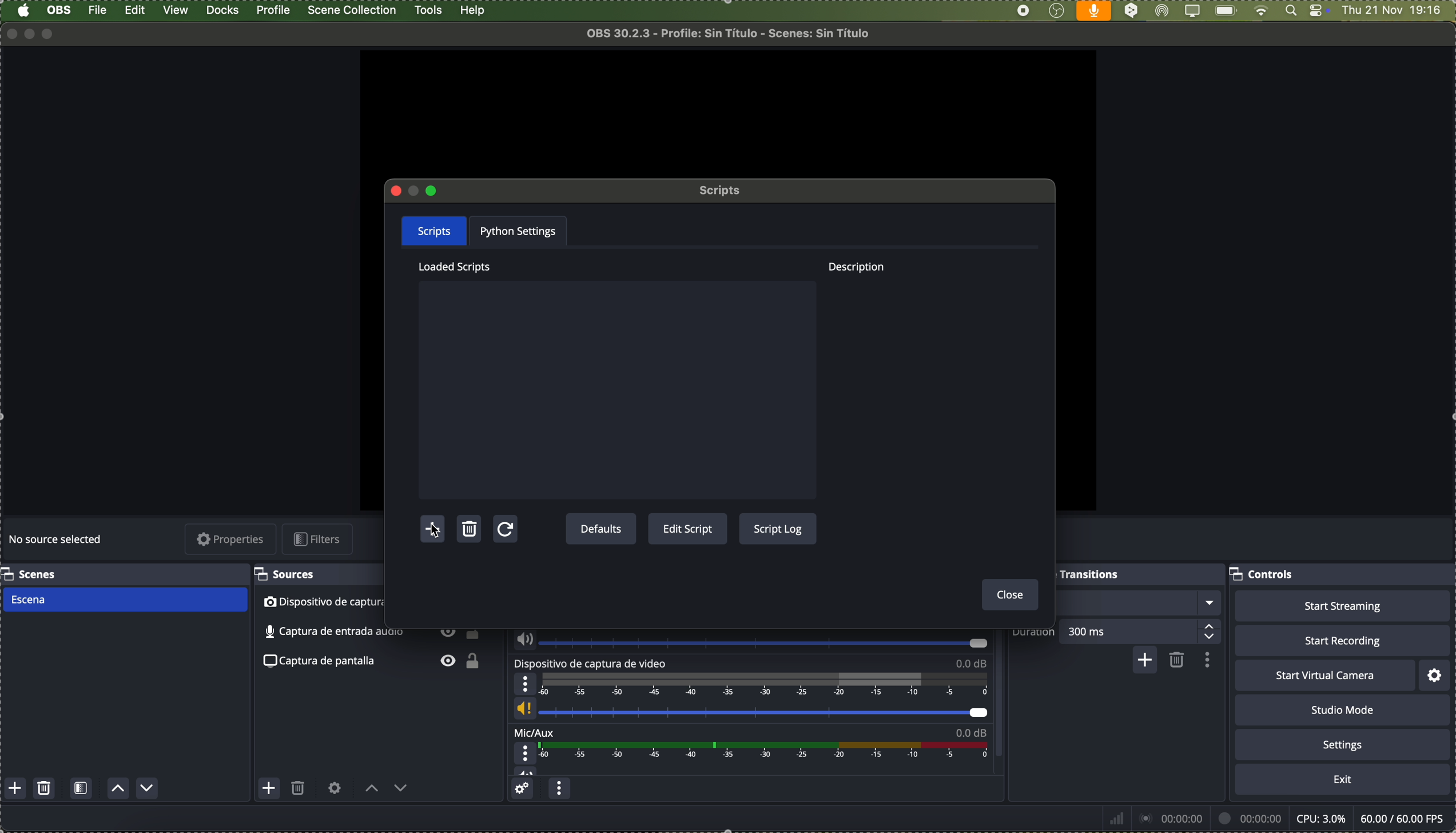 Image resolution: width=1456 pixels, height=833 pixels. I want to click on video capture device, so click(373, 603).